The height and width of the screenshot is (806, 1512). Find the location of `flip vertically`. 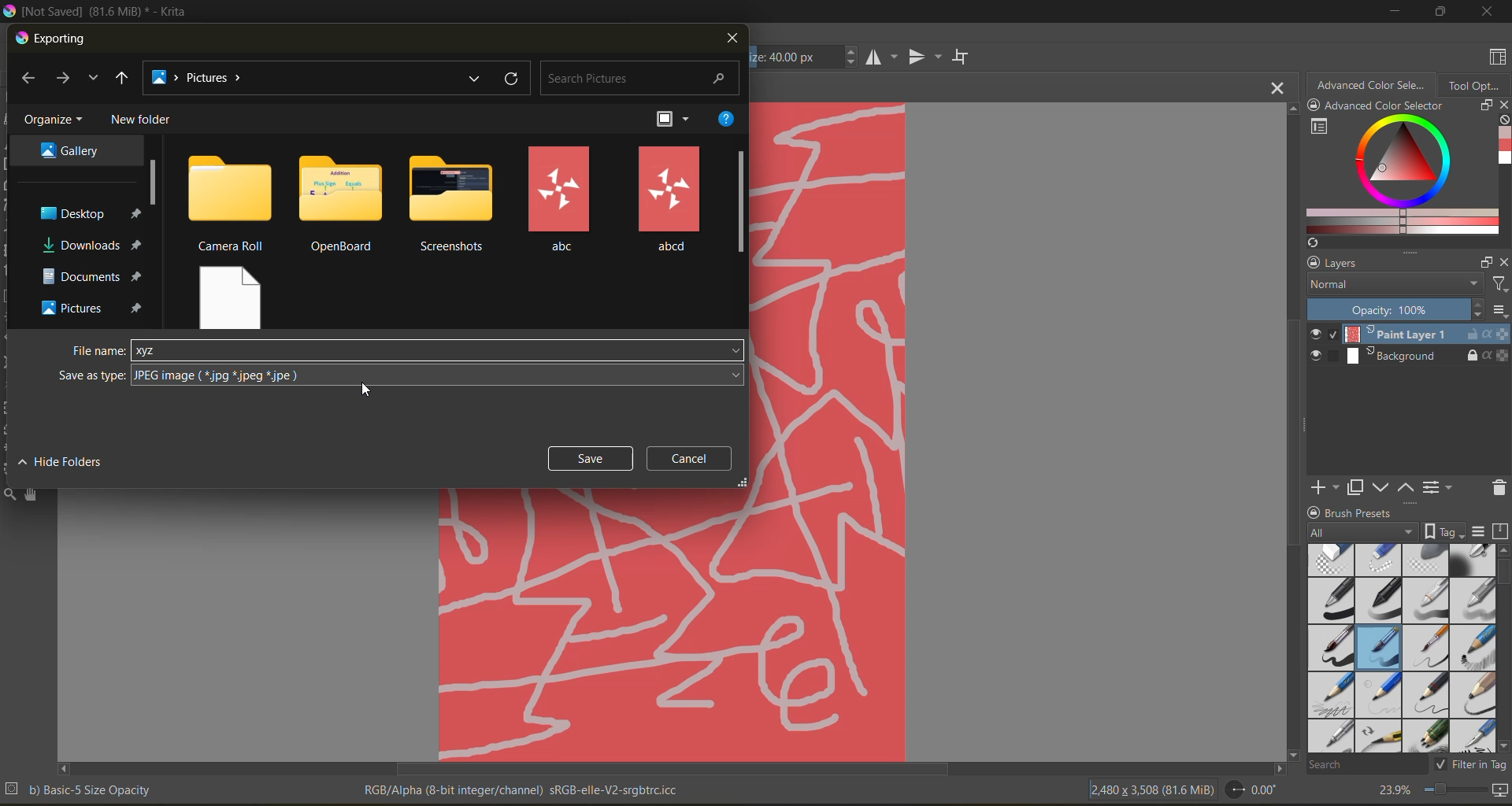

flip vertically is located at coordinates (922, 58).